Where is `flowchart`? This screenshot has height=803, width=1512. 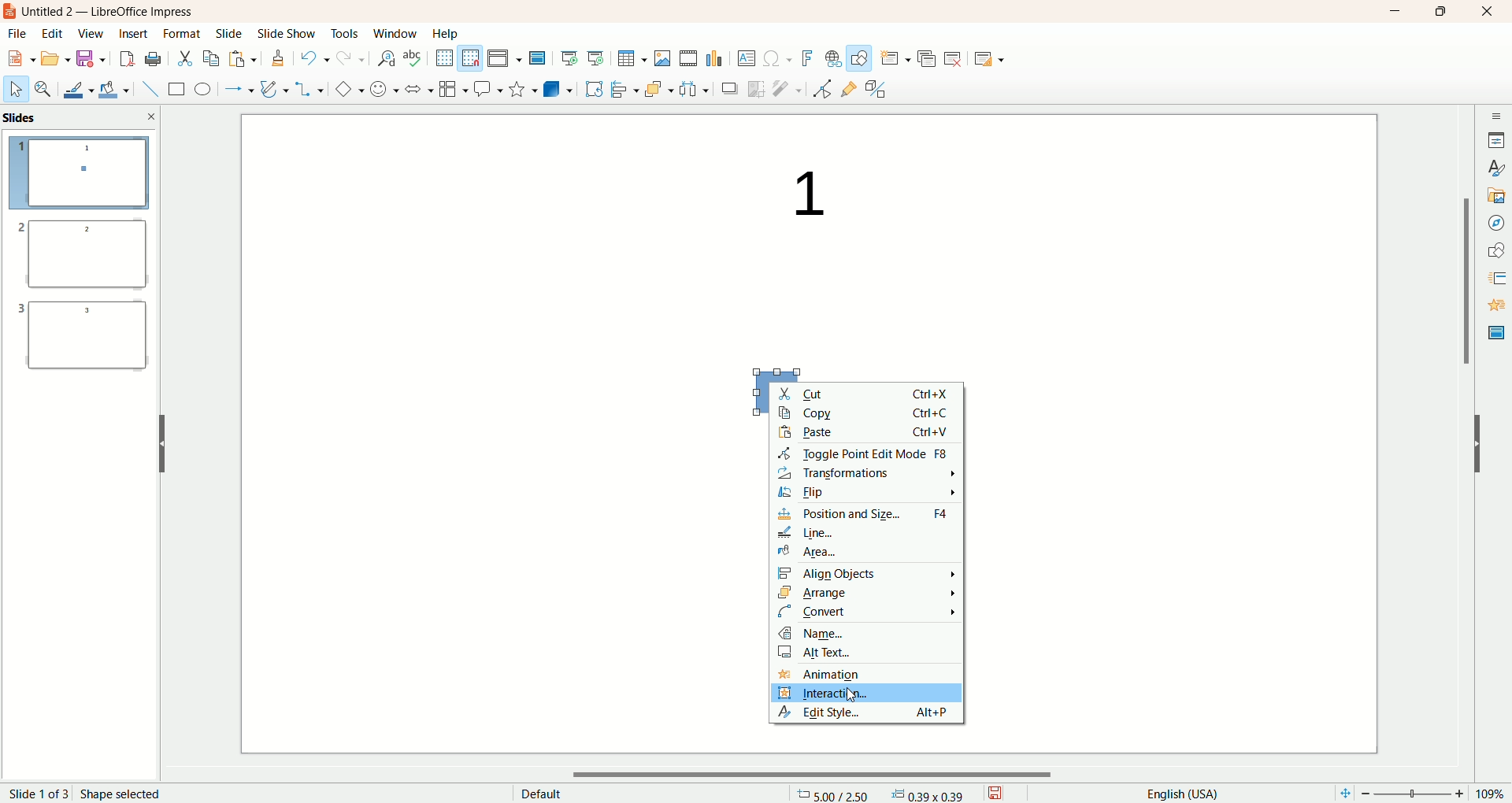 flowchart is located at coordinates (450, 90).